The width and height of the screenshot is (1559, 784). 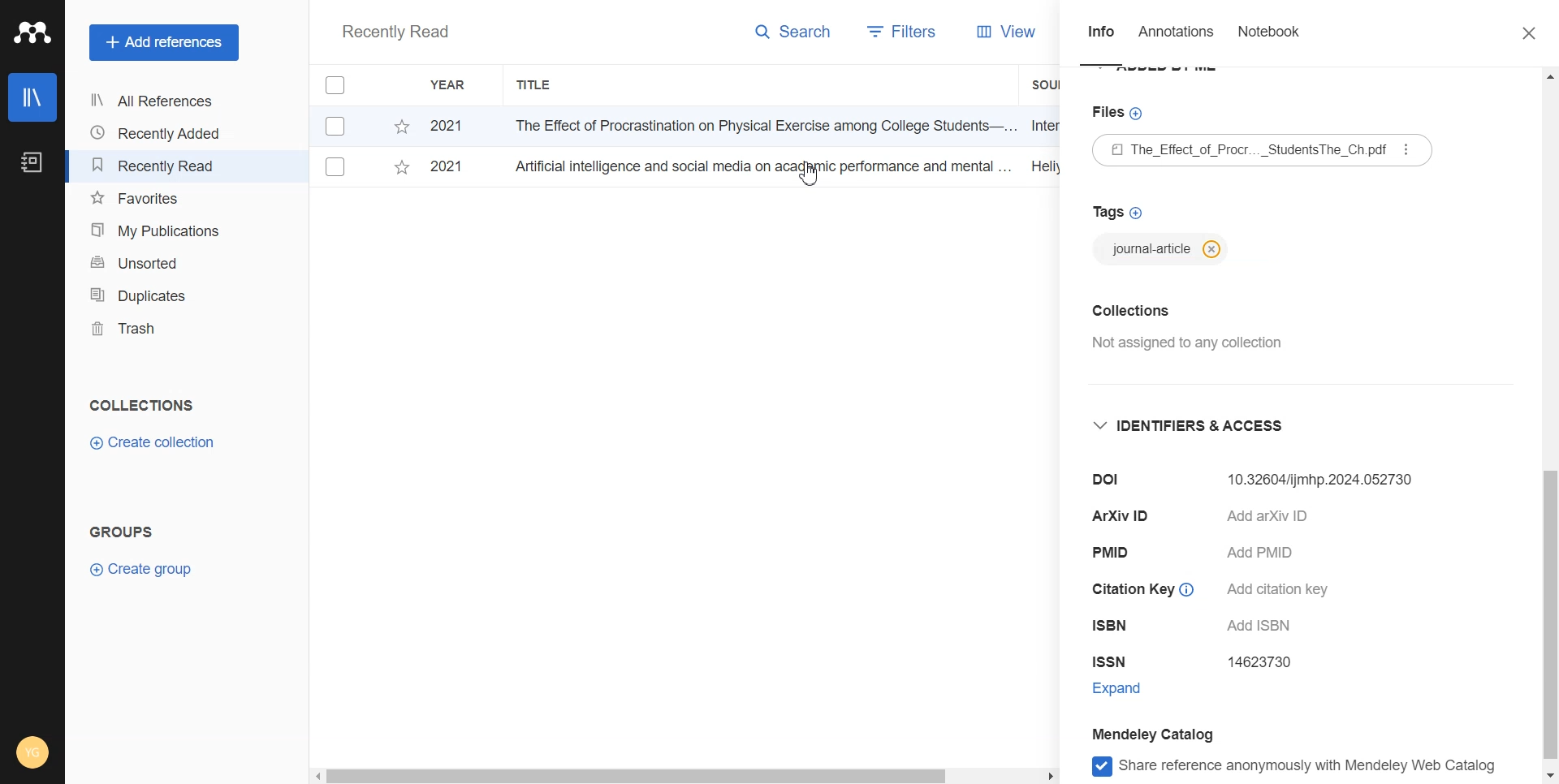 What do you see at coordinates (1201, 431) in the screenshot?
I see `Identifier and access` at bounding box center [1201, 431].